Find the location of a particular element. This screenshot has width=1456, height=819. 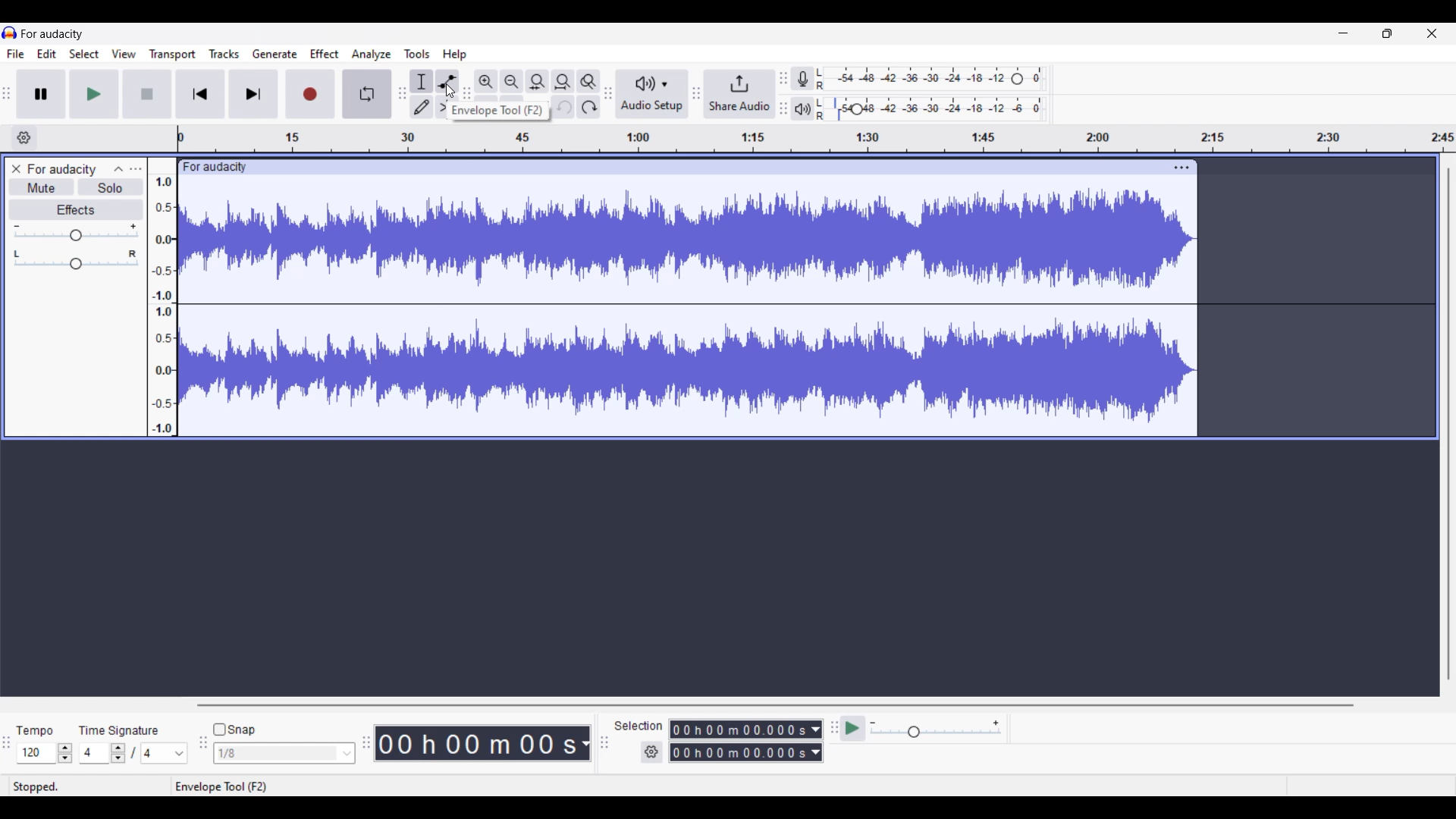

track waveform is located at coordinates (688, 311).